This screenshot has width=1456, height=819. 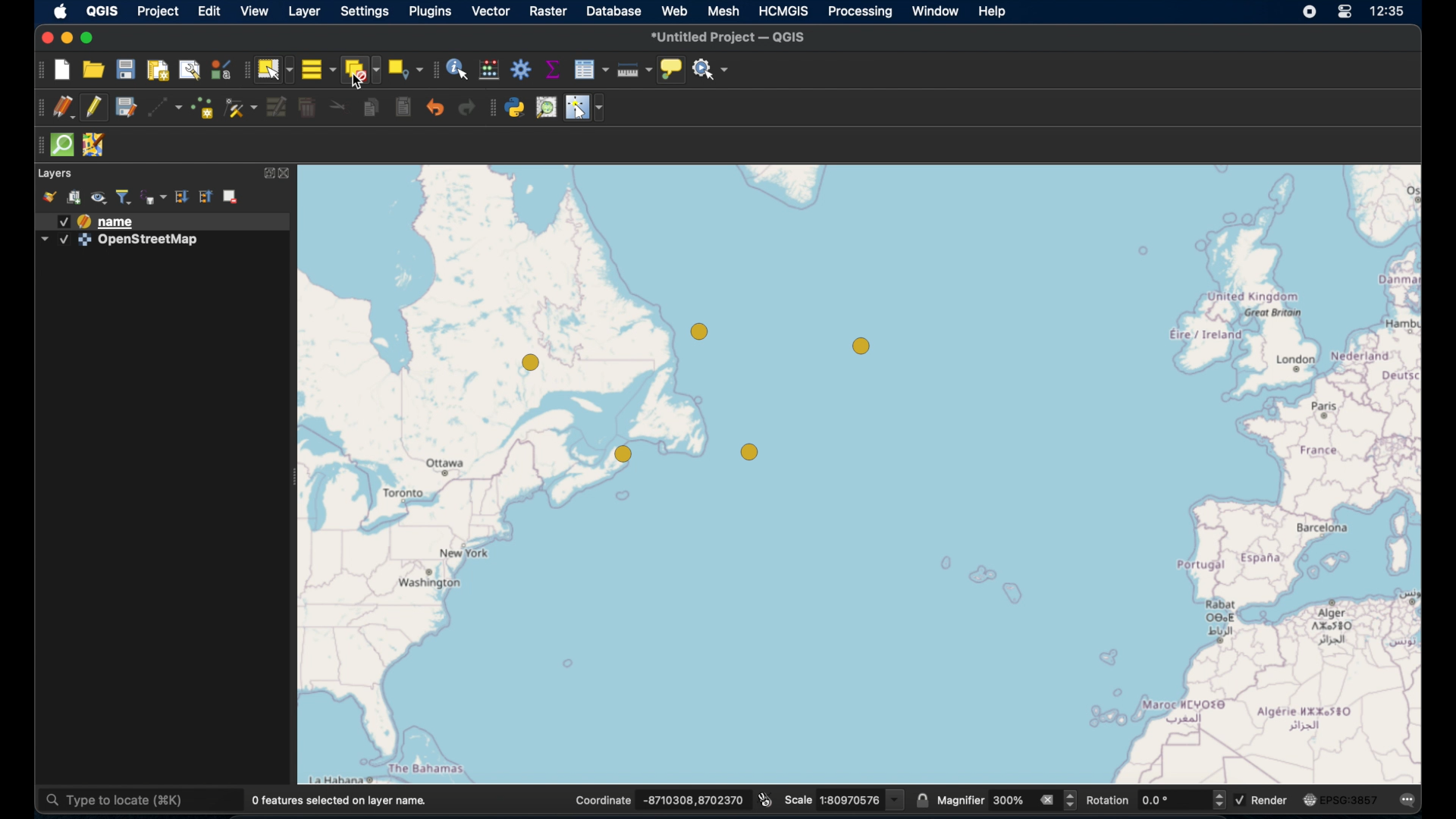 What do you see at coordinates (64, 108) in the screenshot?
I see `current edits` at bounding box center [64, 108].